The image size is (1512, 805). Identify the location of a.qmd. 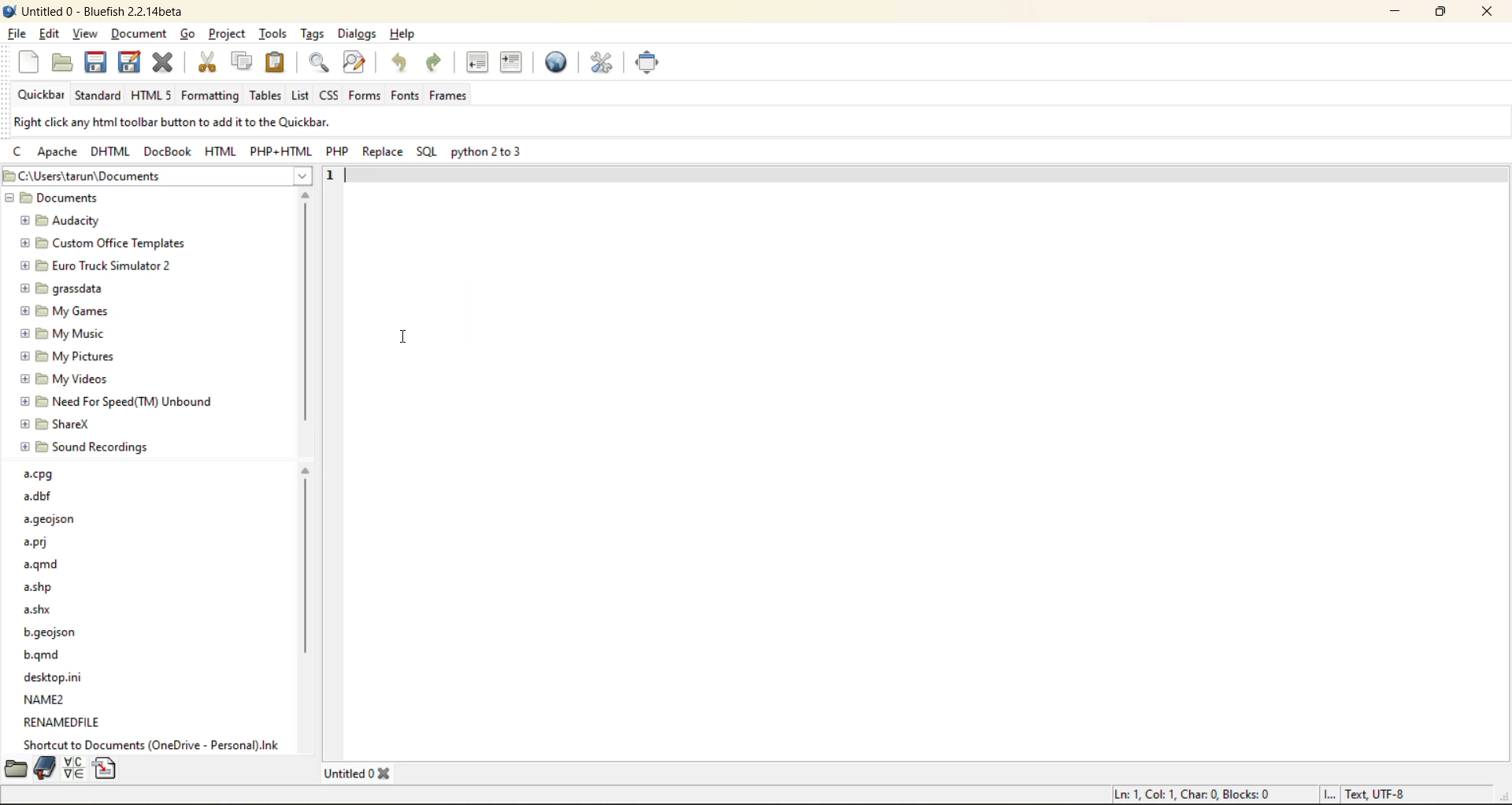
(45, 566).